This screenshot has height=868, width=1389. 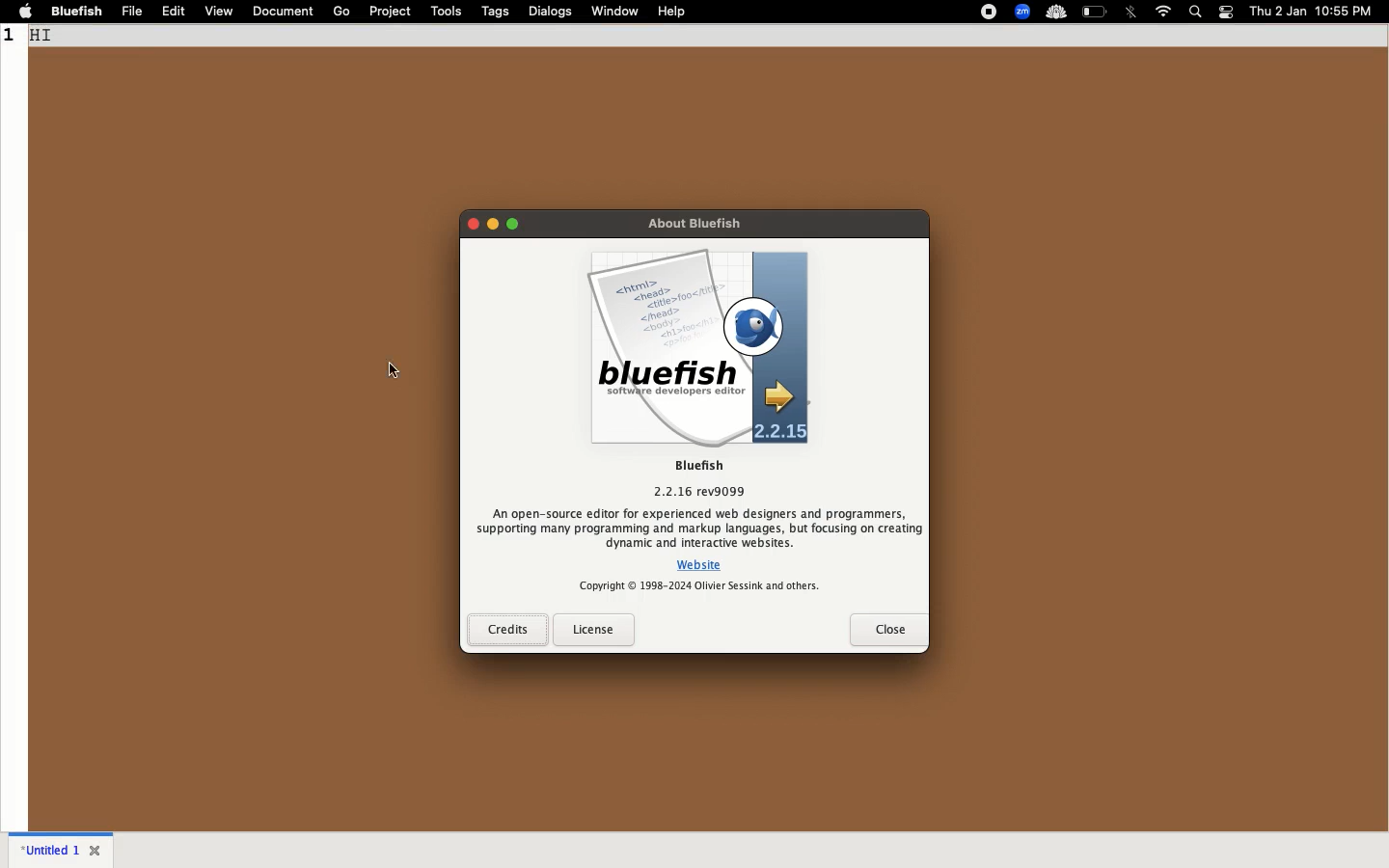 What do you see at coordinates (78, 11) in the screenshot?
I see `bluefish` at bounding box center [78, 11].